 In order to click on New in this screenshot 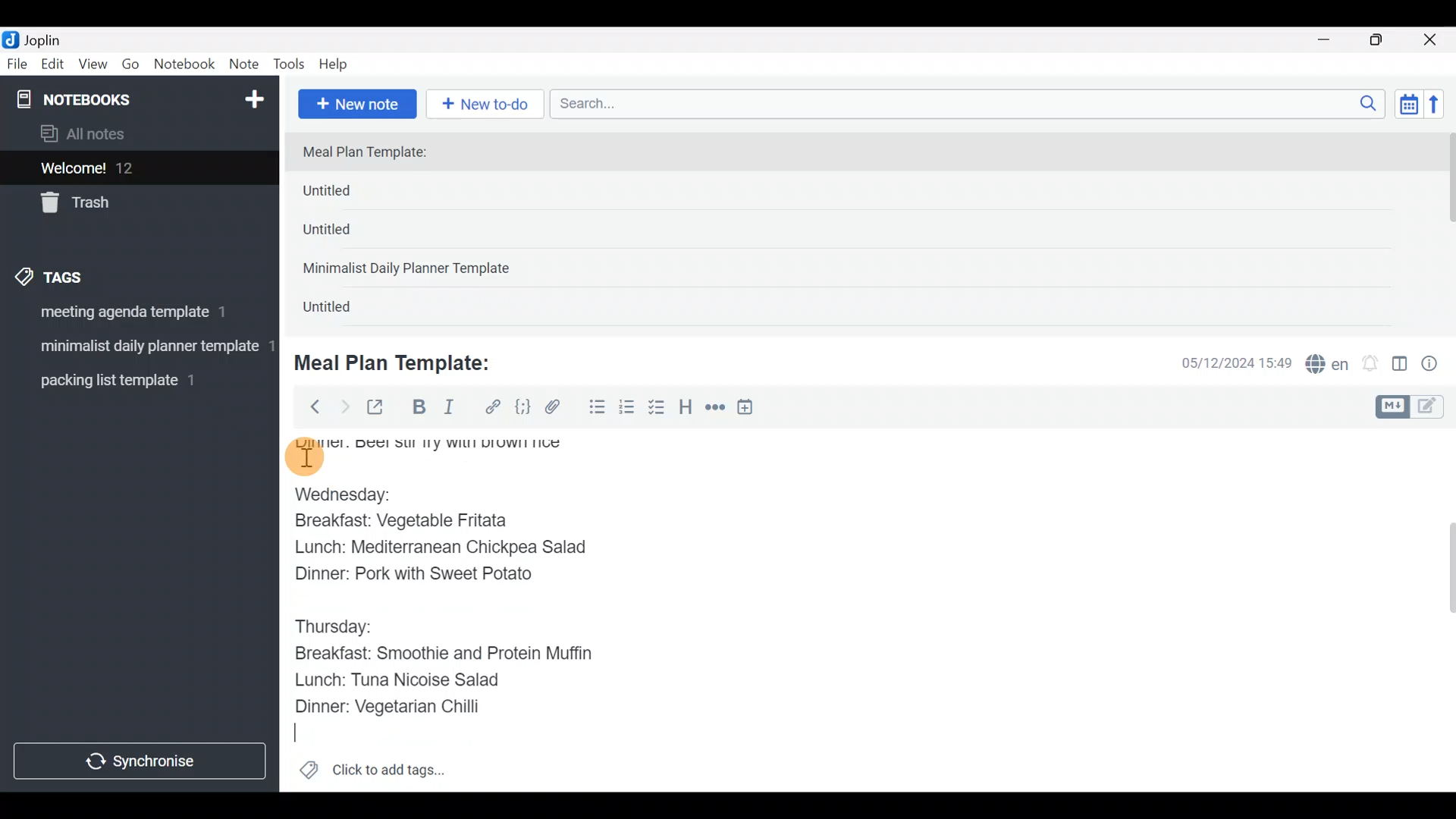, I will do `click(253, 96)`.